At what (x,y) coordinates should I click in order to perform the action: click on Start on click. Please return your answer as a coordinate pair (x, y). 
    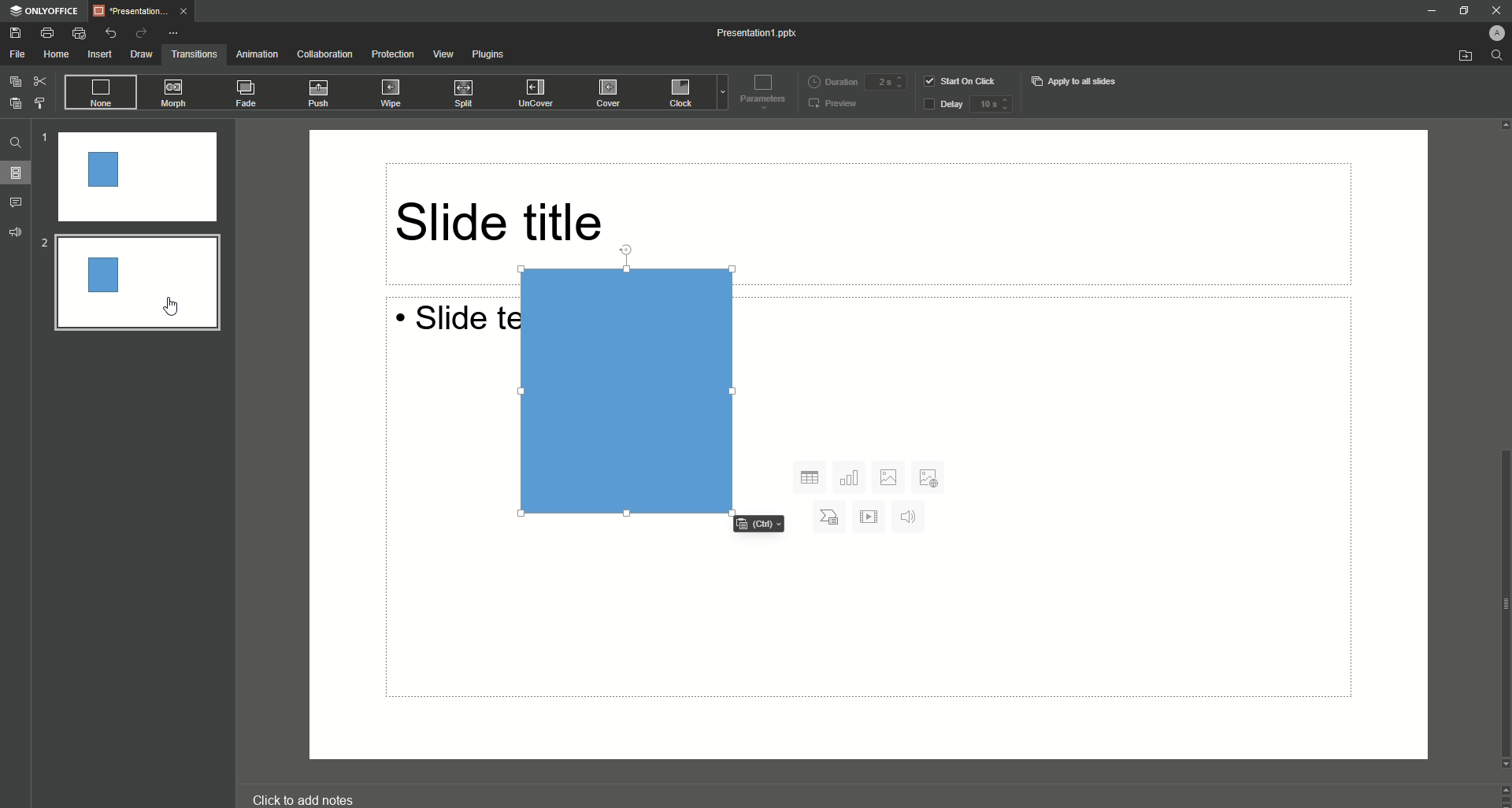
    Looking at the image, I should click on (962, 80).